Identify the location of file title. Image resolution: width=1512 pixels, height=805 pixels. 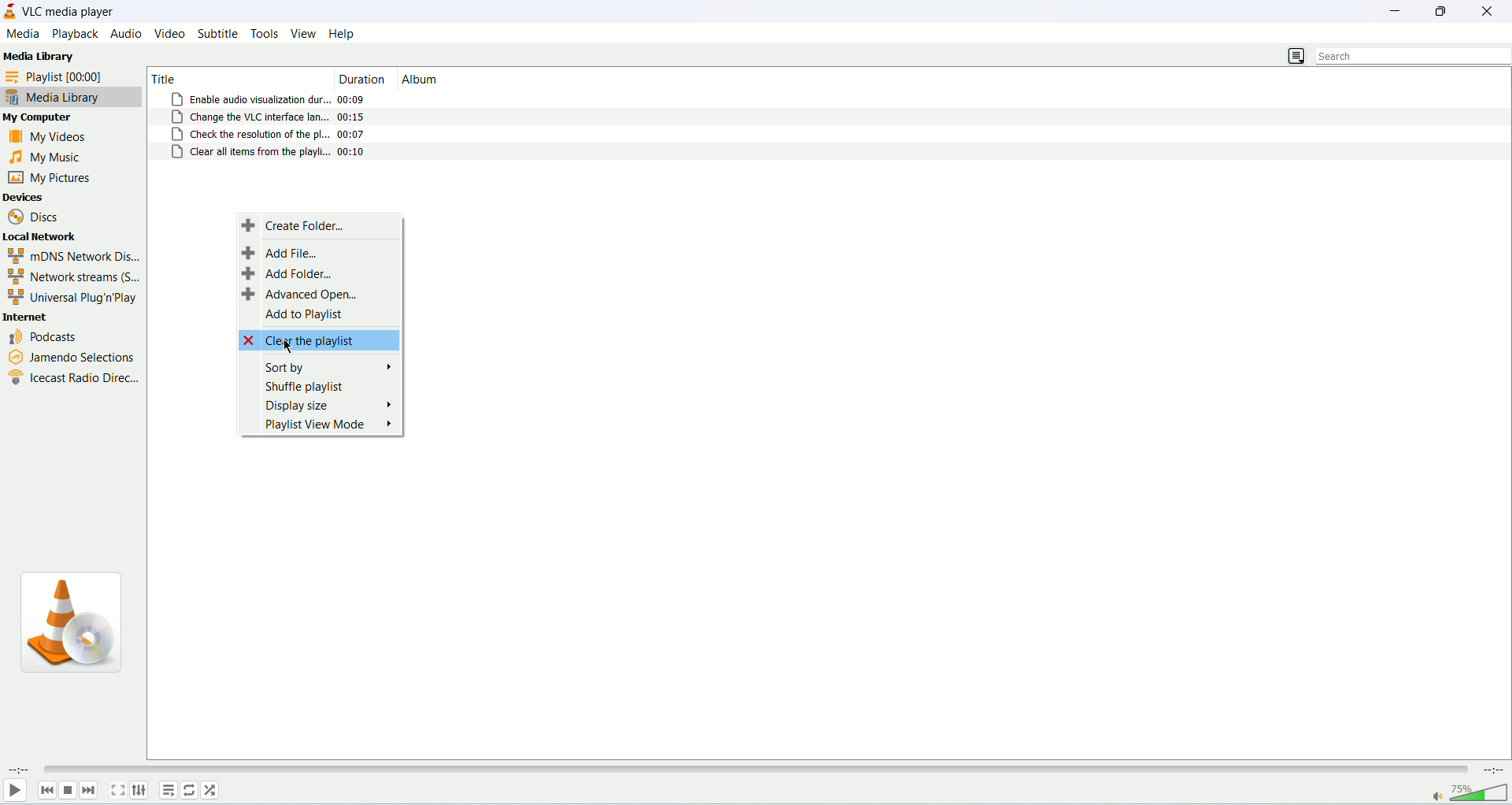
(233, 76).